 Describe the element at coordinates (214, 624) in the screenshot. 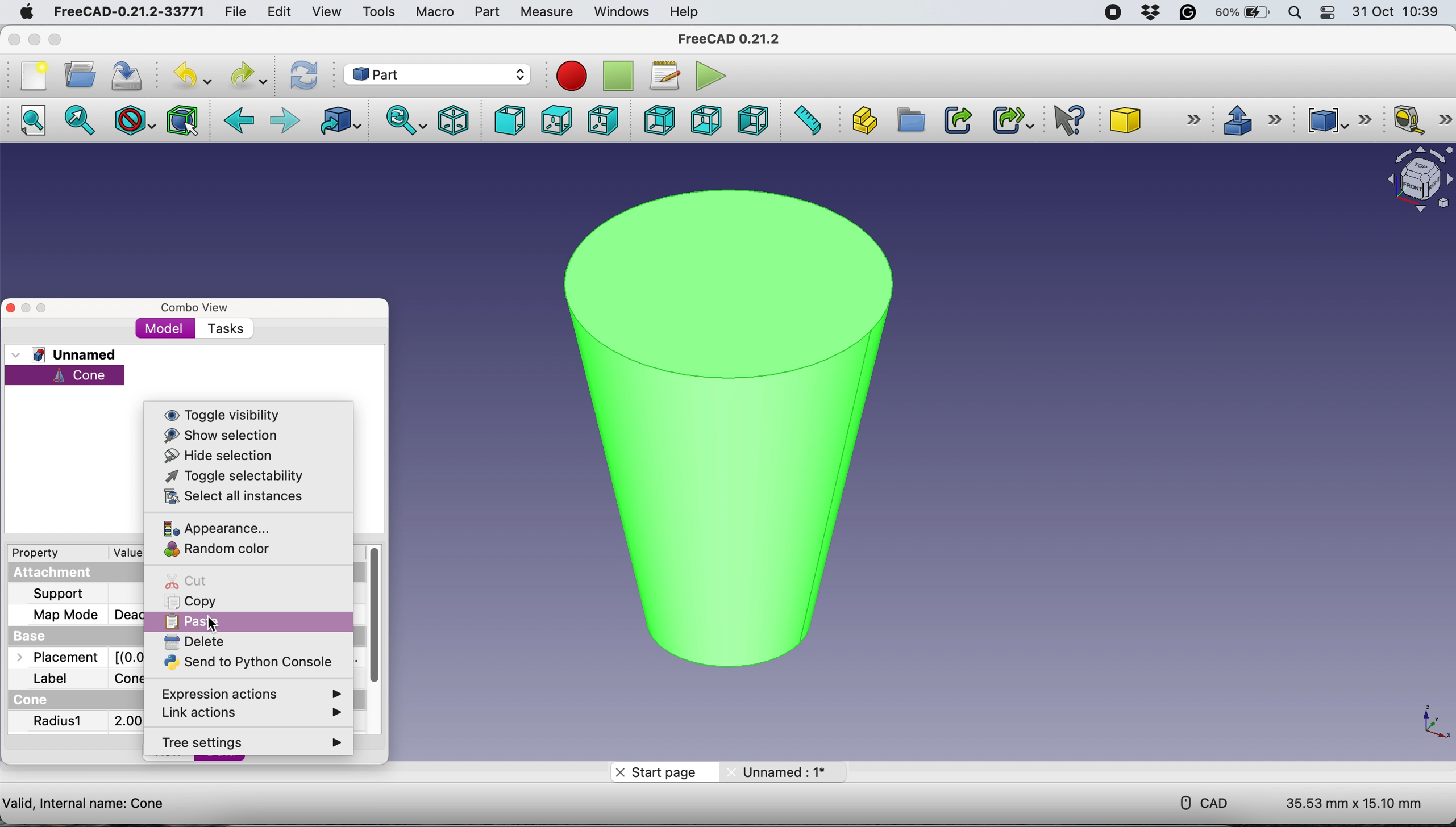

I see `cursor` at that location.